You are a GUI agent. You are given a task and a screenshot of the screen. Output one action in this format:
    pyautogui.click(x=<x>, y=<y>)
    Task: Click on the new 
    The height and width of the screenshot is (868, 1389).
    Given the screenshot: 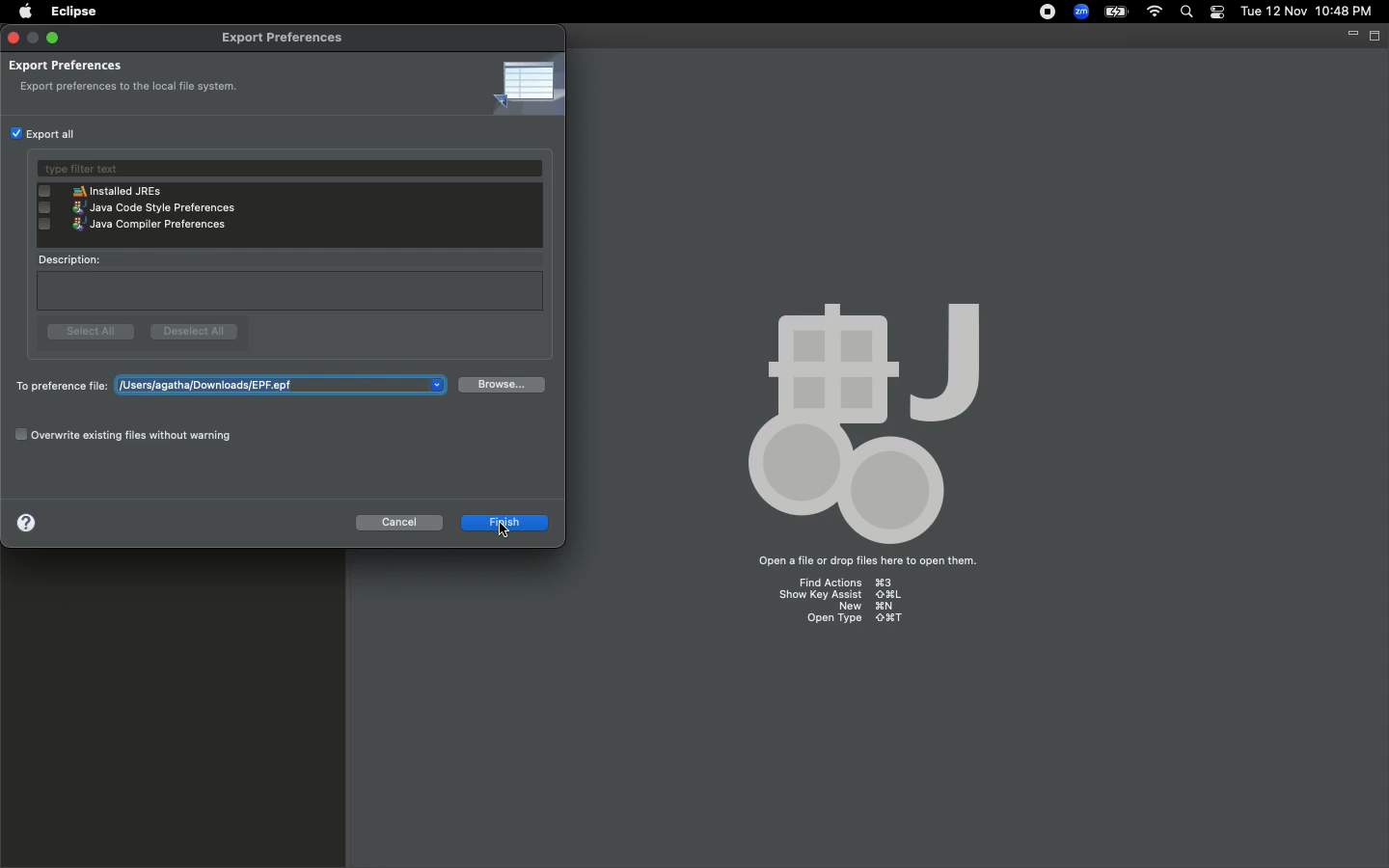 What is the action you would take?
    pyautogui.click(x=849, y=607)
    